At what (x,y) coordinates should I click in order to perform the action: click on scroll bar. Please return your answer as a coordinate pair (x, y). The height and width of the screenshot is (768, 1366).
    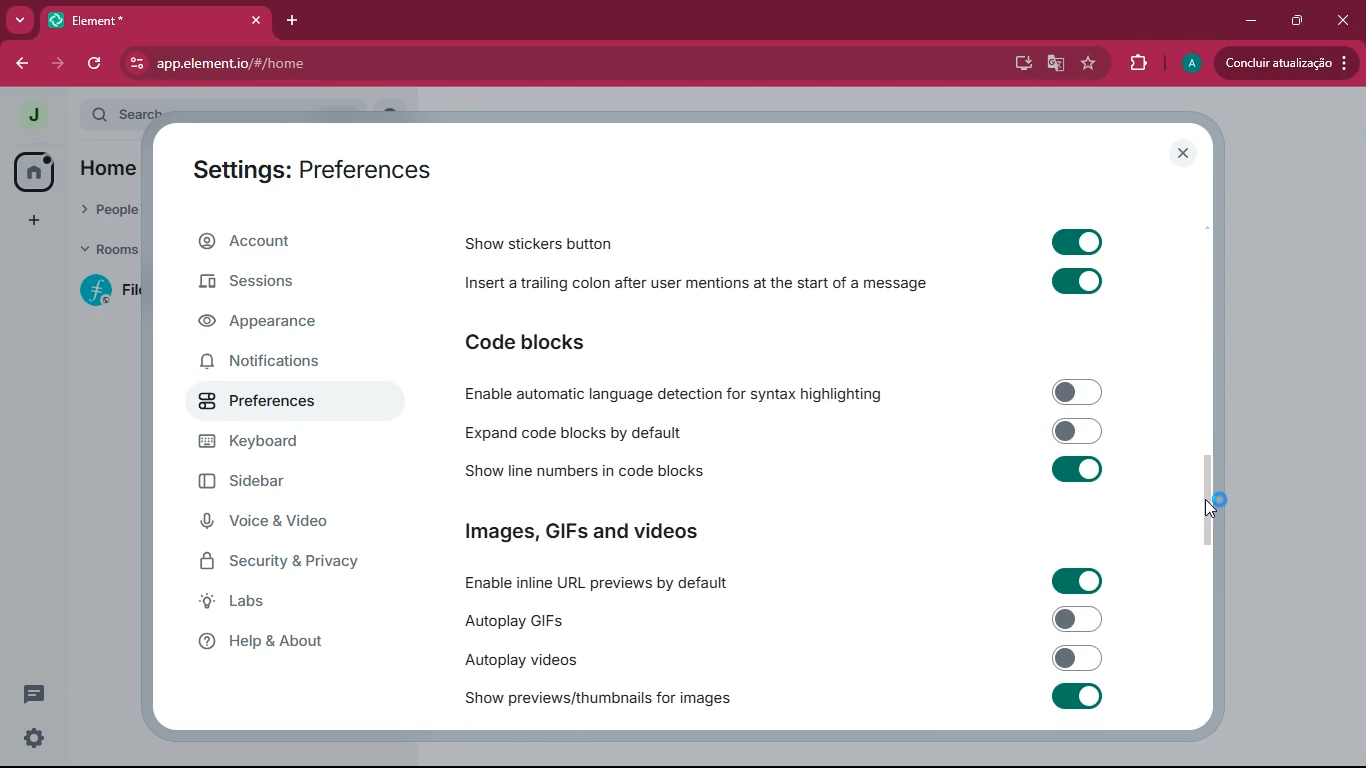
    Looking at the image, I should click on (1215, 501).